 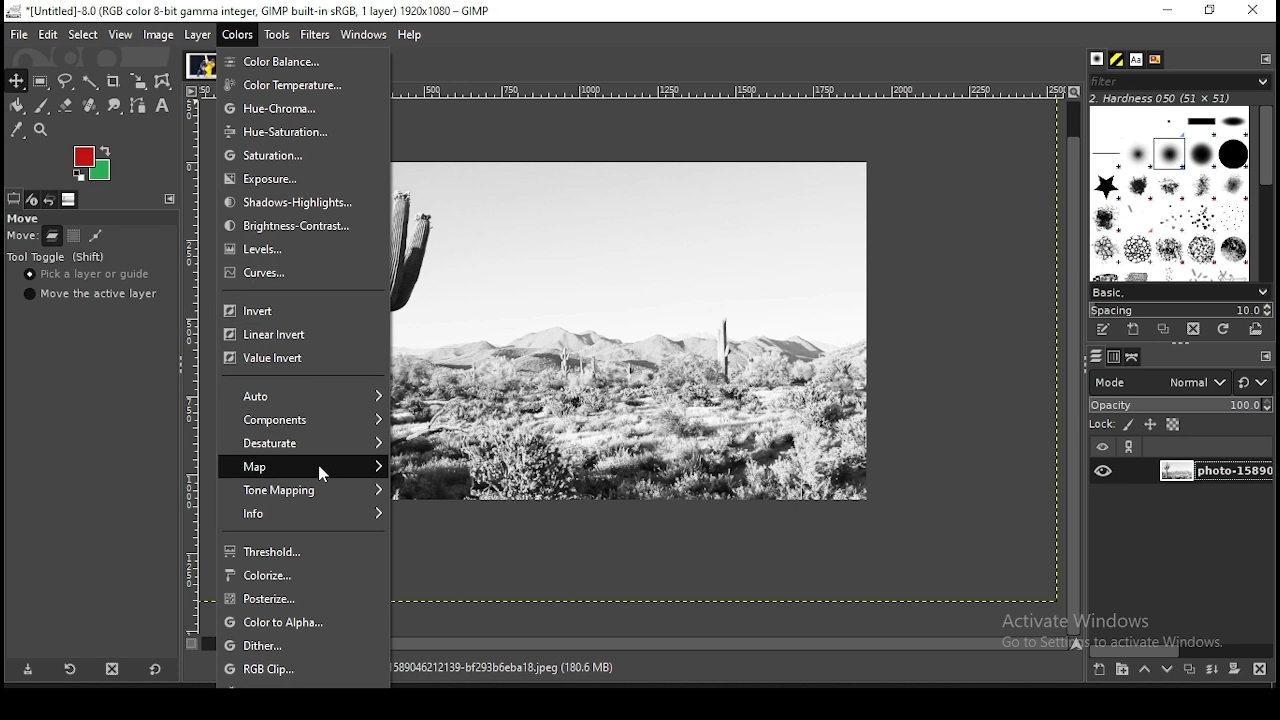 I want to click on icon and file name, so click(x=248, y=11).